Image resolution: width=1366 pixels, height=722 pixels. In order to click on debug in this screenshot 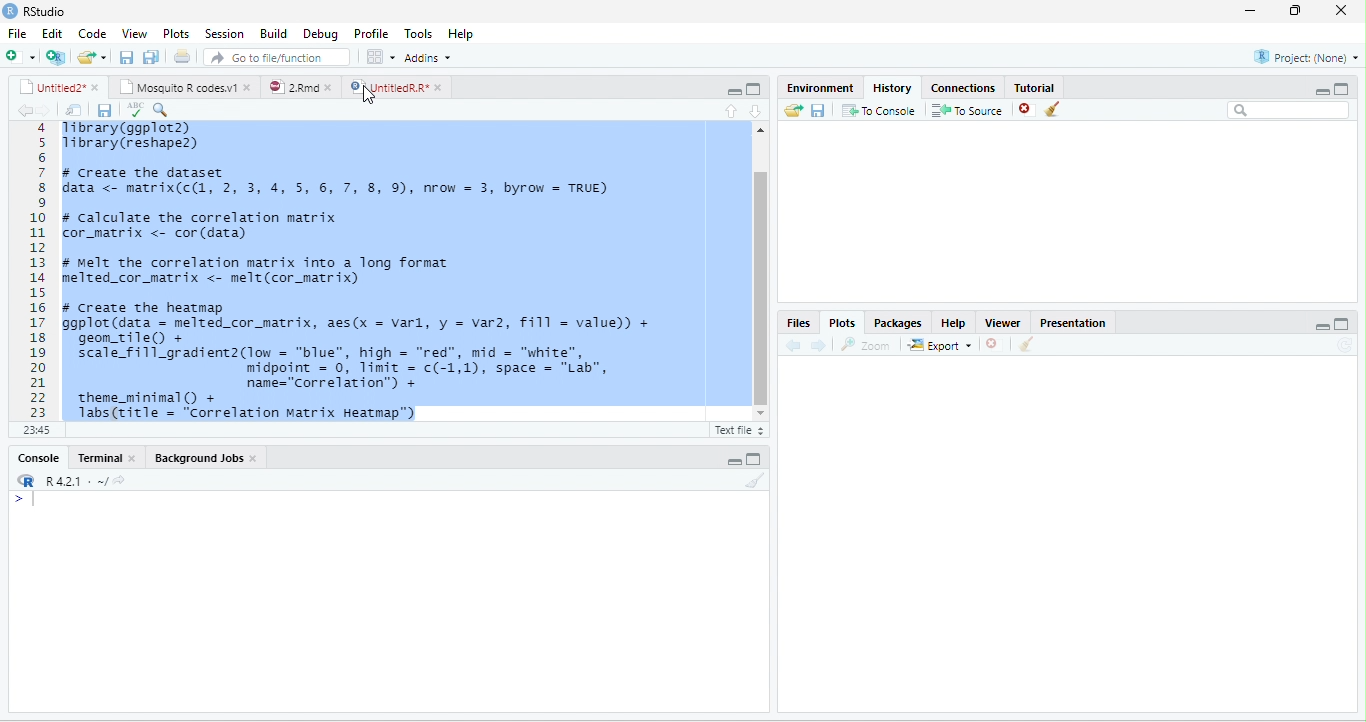, I will do `click(321, 35)`.